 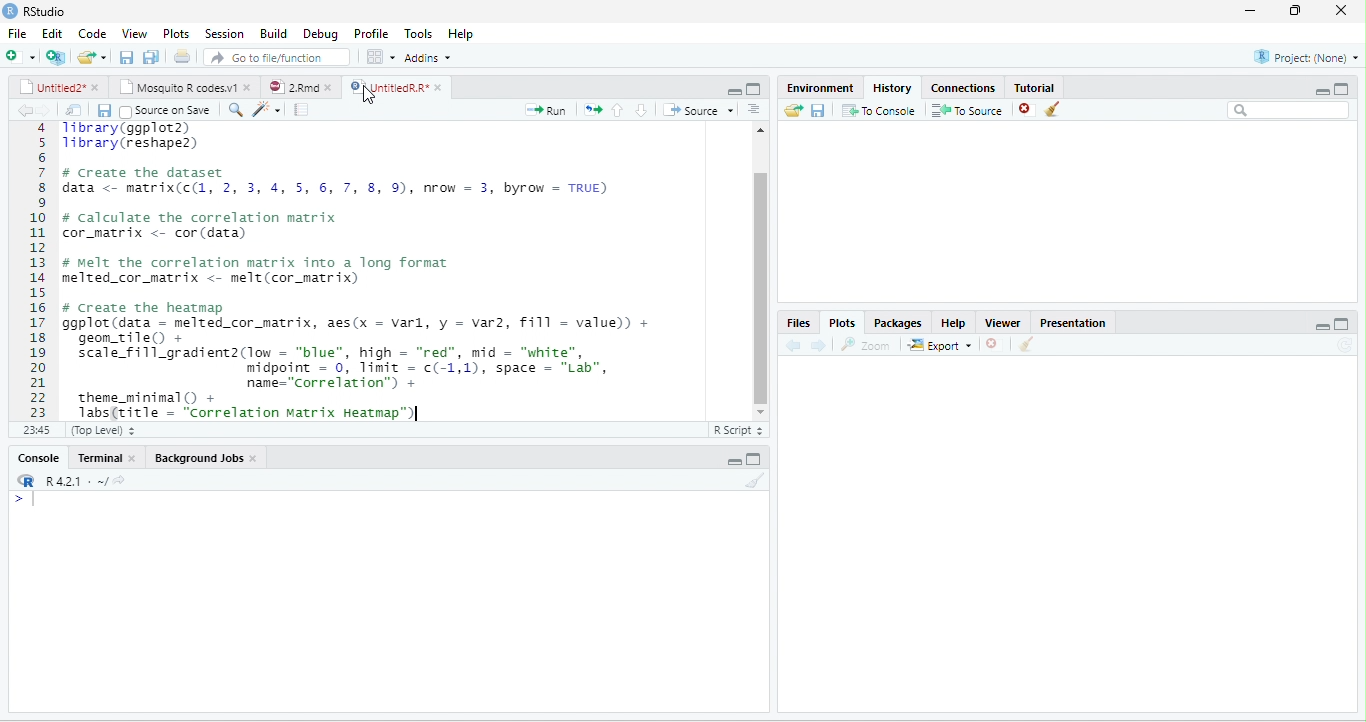 I want to click on files, so click(x=797, y=322).